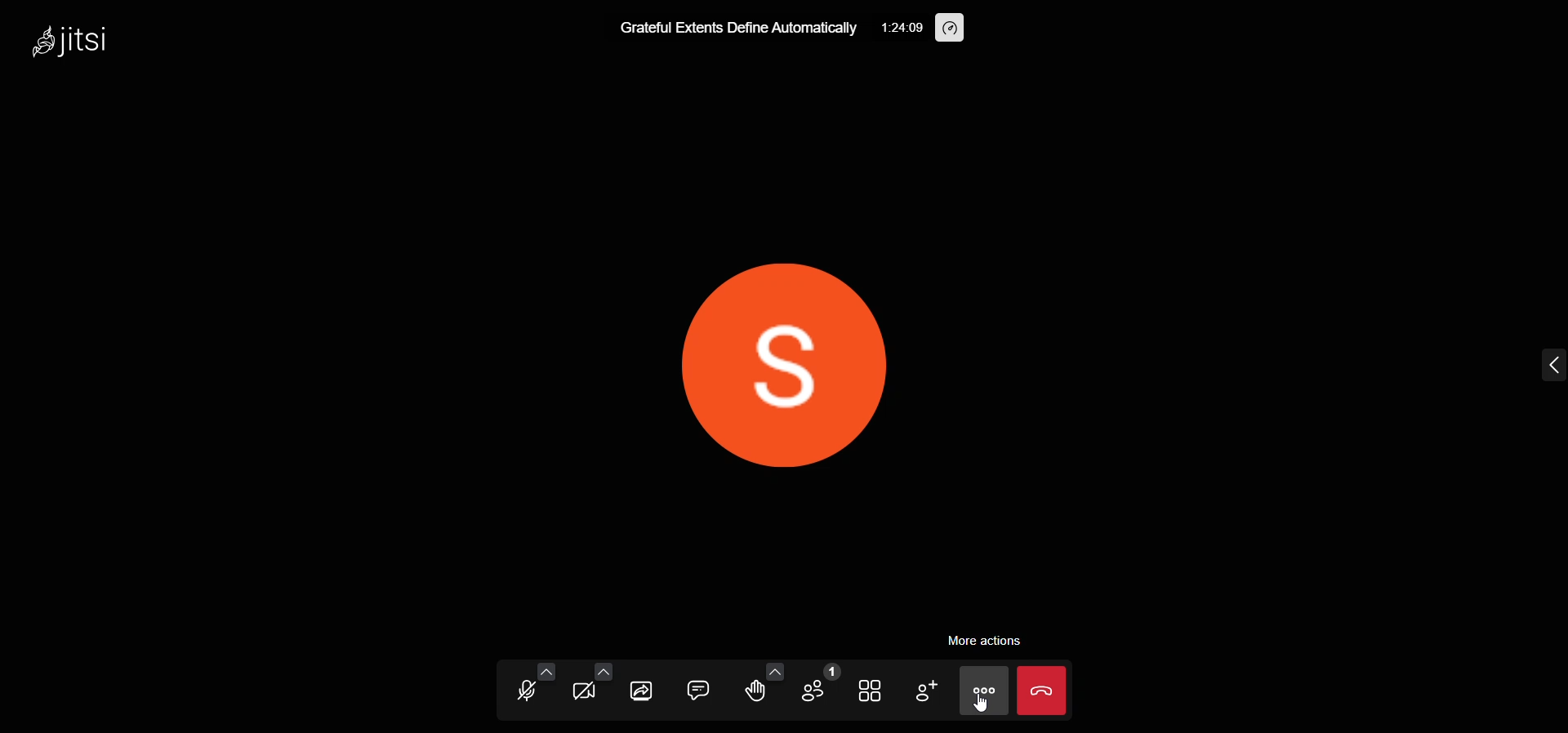  Describe the element at coordinates (645, 690) in the screenshot. I see `screen share` at that location.